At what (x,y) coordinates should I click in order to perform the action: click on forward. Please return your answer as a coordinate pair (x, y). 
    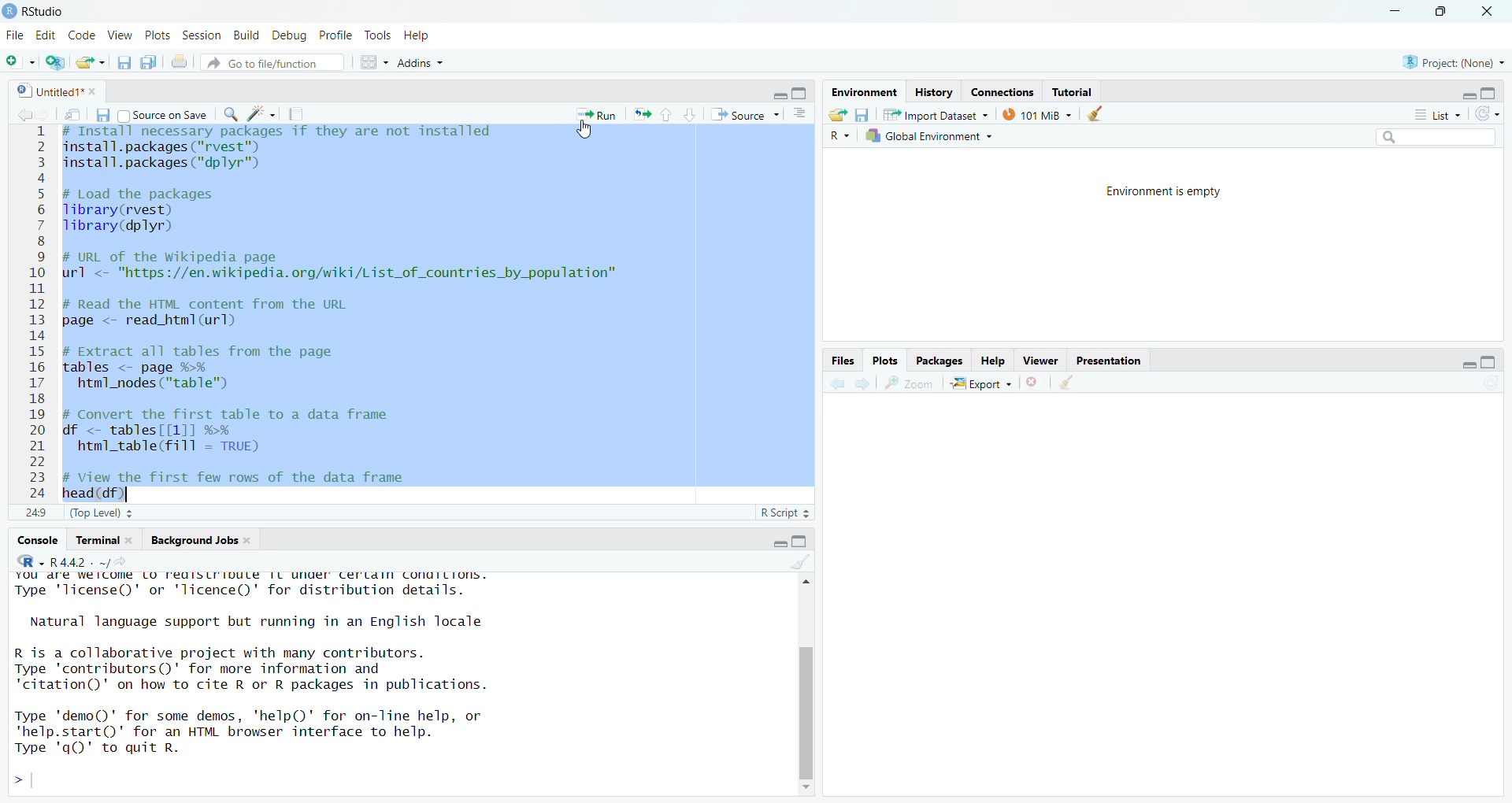
    Looking at the image, I should click on (863, 383).